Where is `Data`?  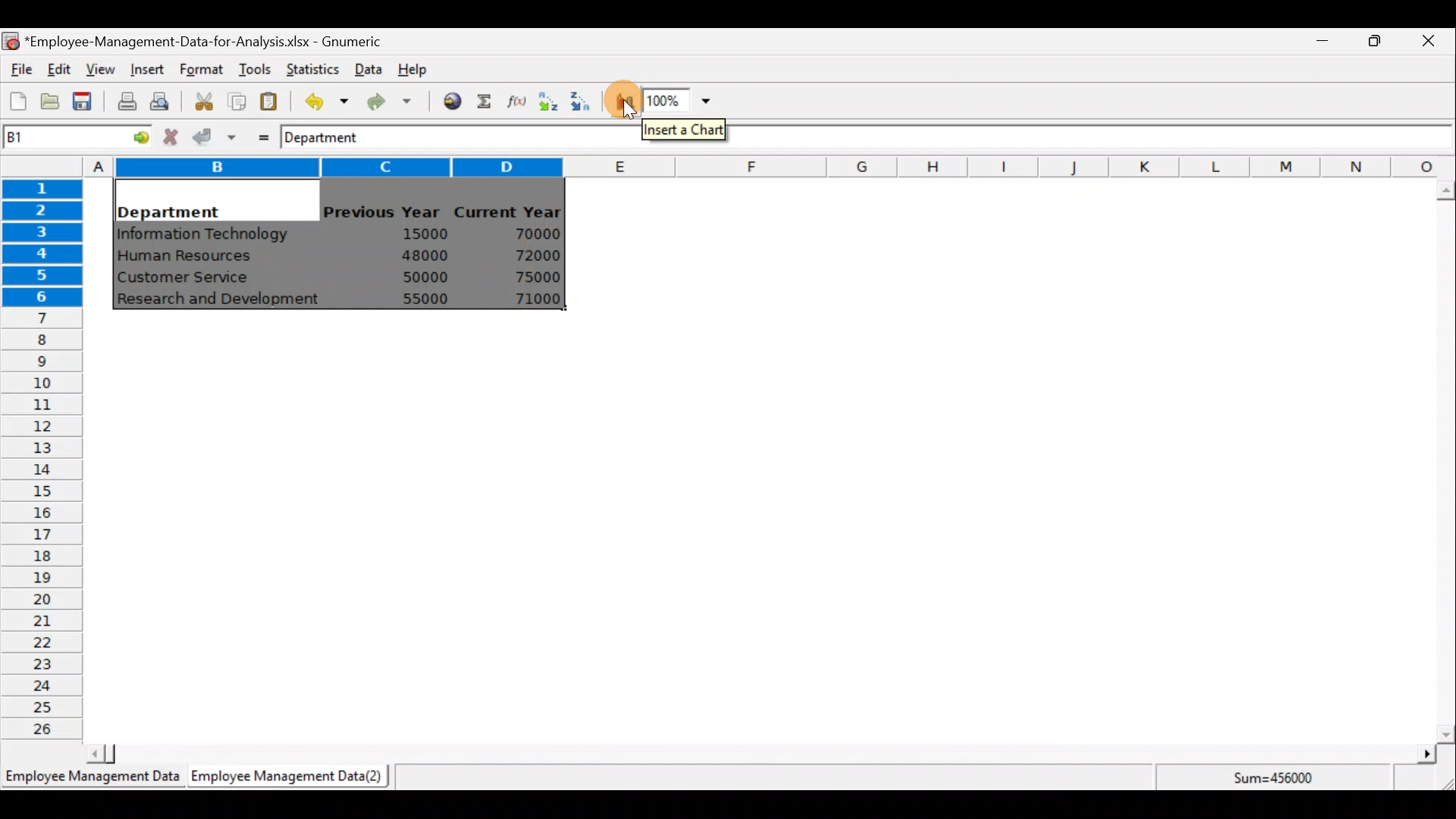 Data is located at coordinates (369, 69).